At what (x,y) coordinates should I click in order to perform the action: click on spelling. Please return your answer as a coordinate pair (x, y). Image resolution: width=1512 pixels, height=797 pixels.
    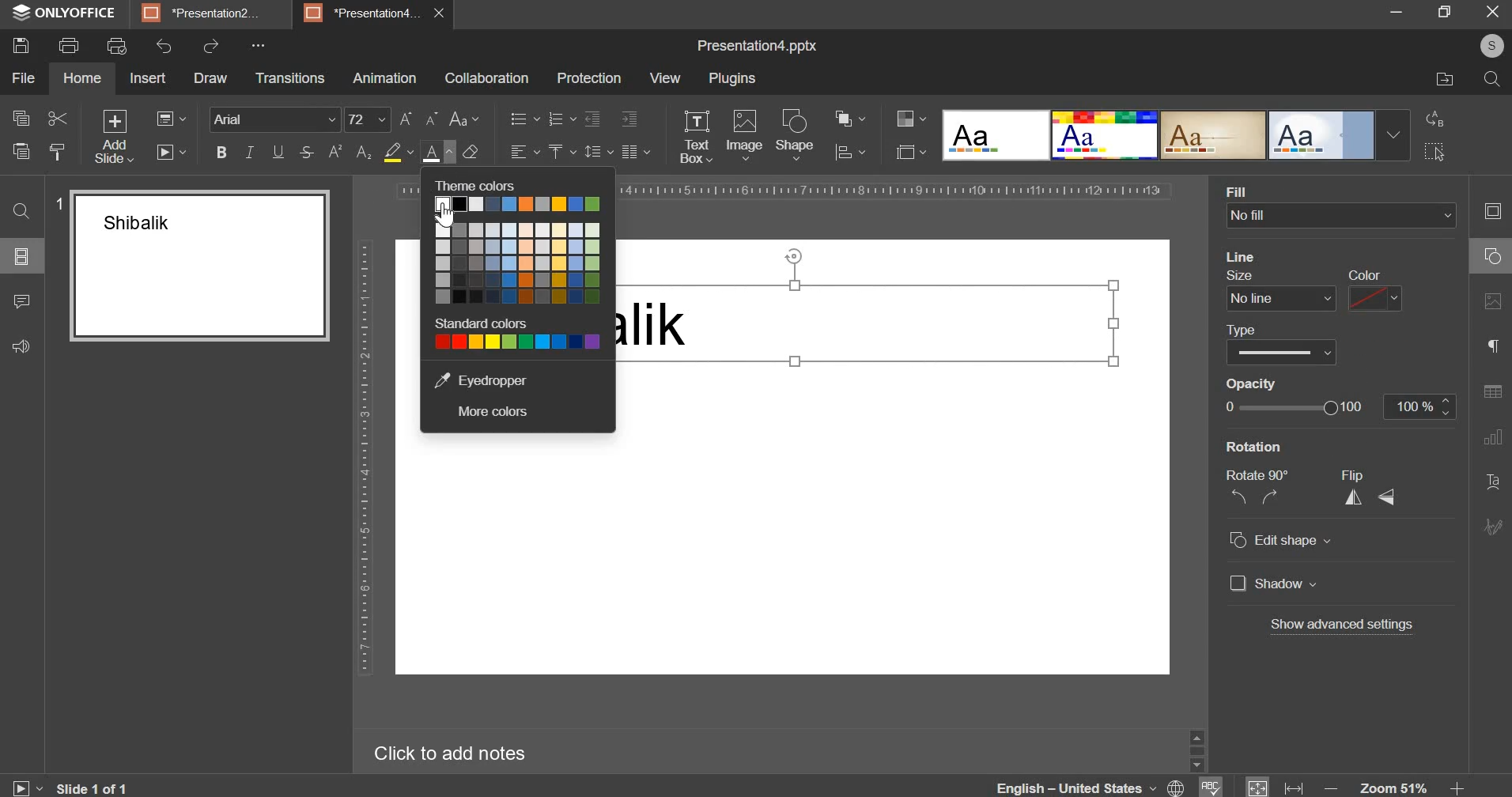
    Looking at the image, I should click on (1214, 785).